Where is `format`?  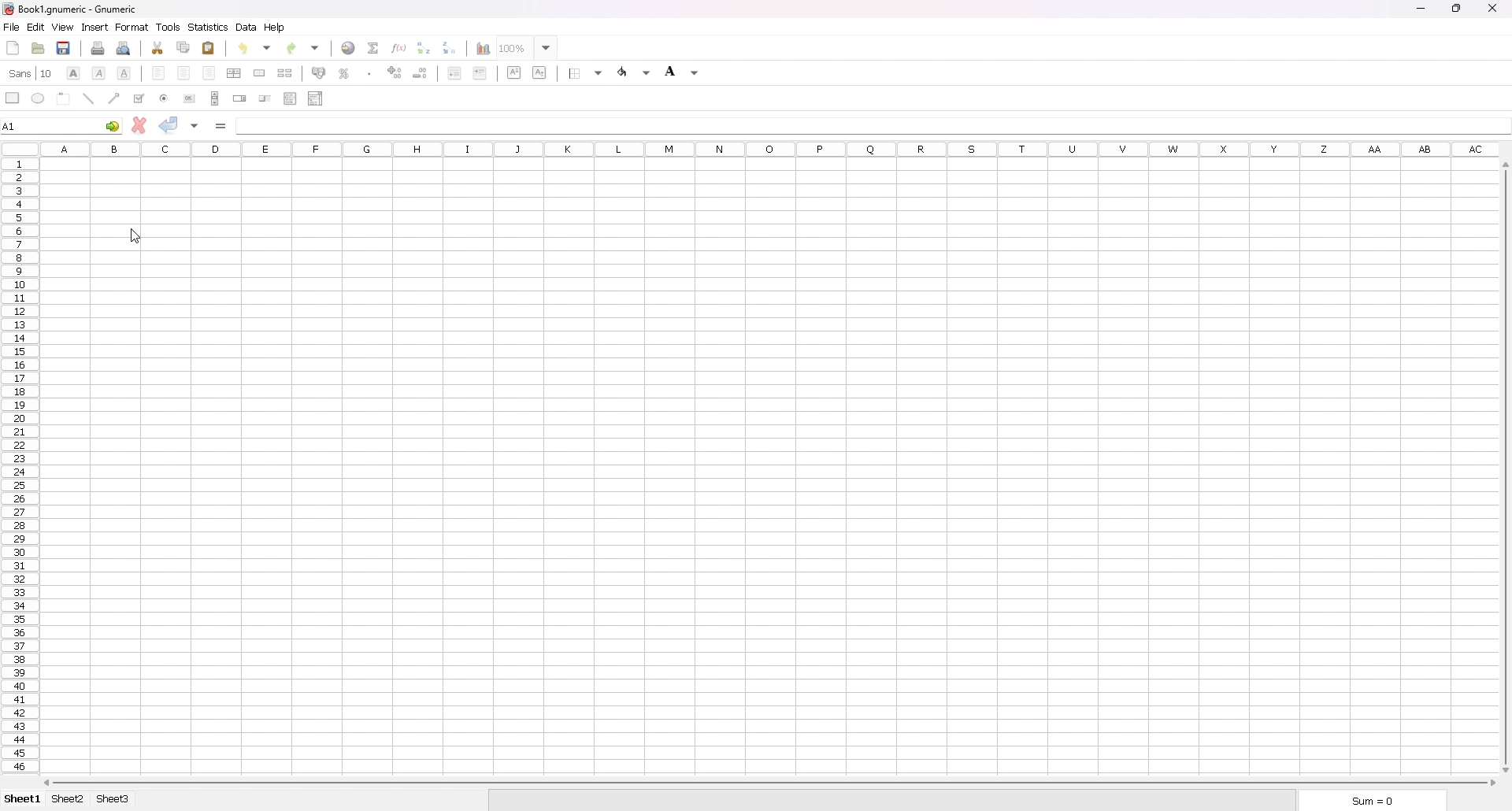 format is located at coordinates (133, 26).